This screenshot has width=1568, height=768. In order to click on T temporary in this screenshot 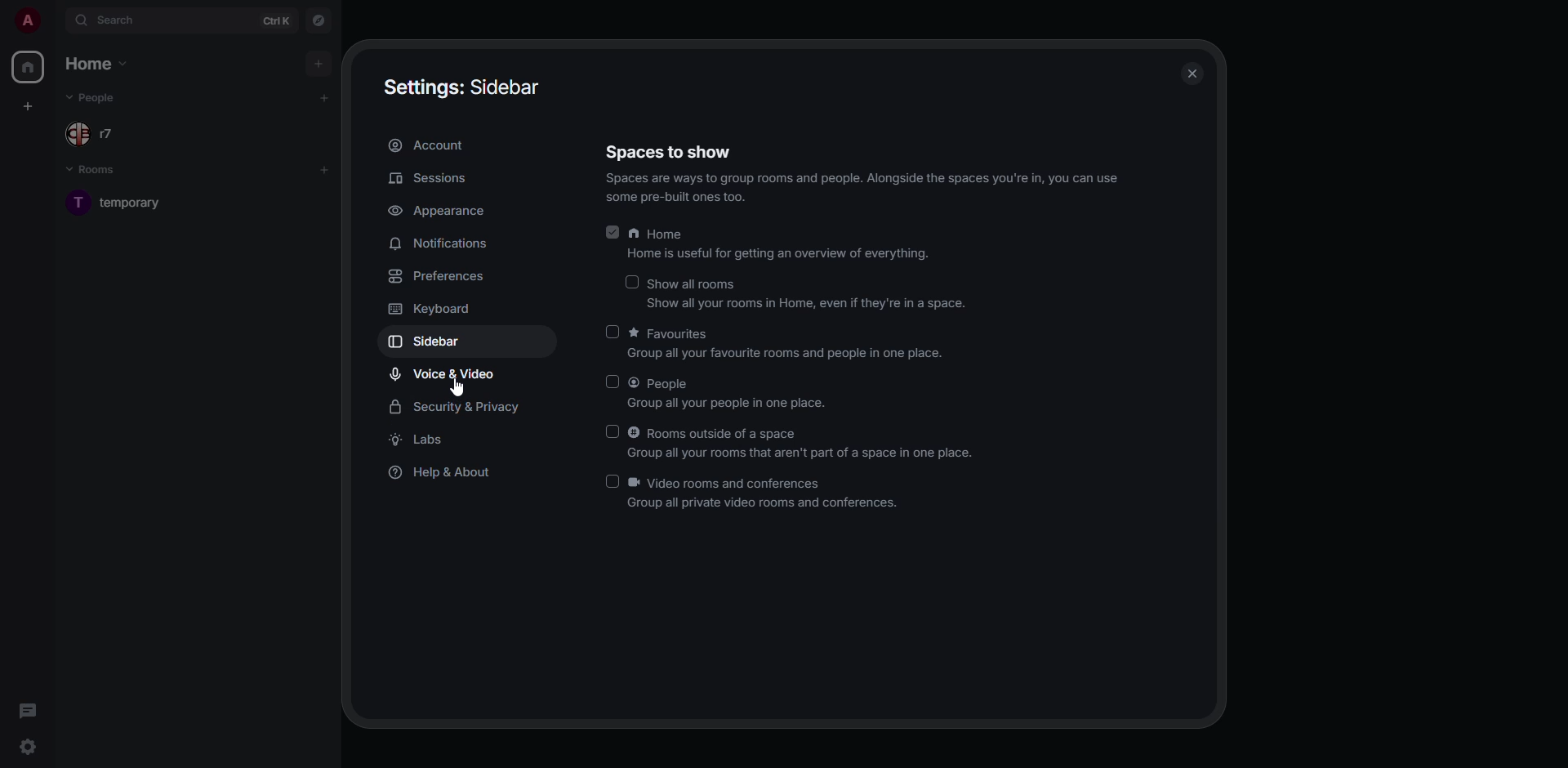, I will do `click(121, 206)`.